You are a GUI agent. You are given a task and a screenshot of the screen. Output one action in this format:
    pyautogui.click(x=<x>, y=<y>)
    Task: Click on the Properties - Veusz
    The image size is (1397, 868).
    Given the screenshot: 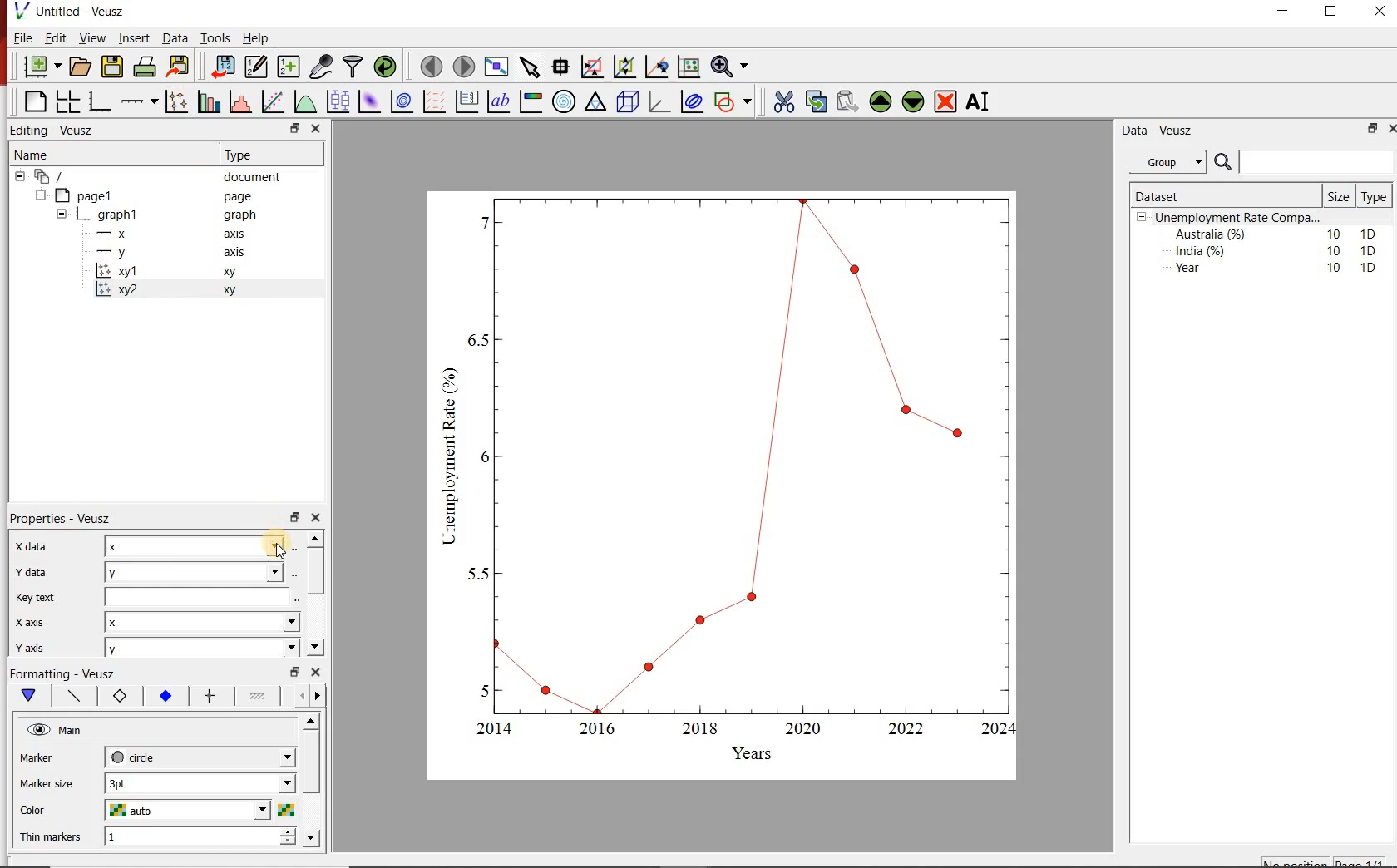 What is the action you would take?
    pyautogui.click(x=63, y=520)
    